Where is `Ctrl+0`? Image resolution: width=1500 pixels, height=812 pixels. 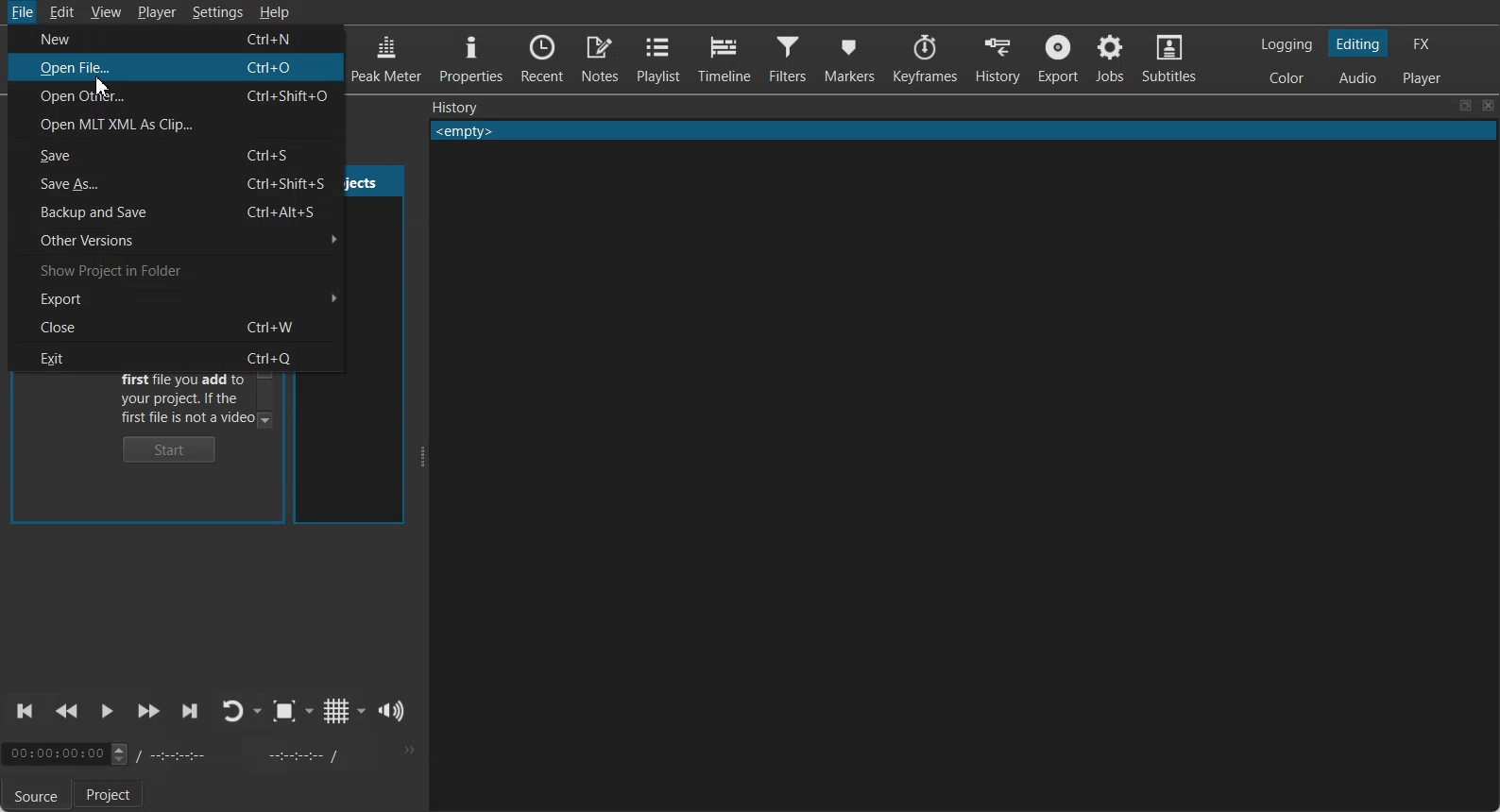
Ctrl+0 is located at coordinates (274, 69).